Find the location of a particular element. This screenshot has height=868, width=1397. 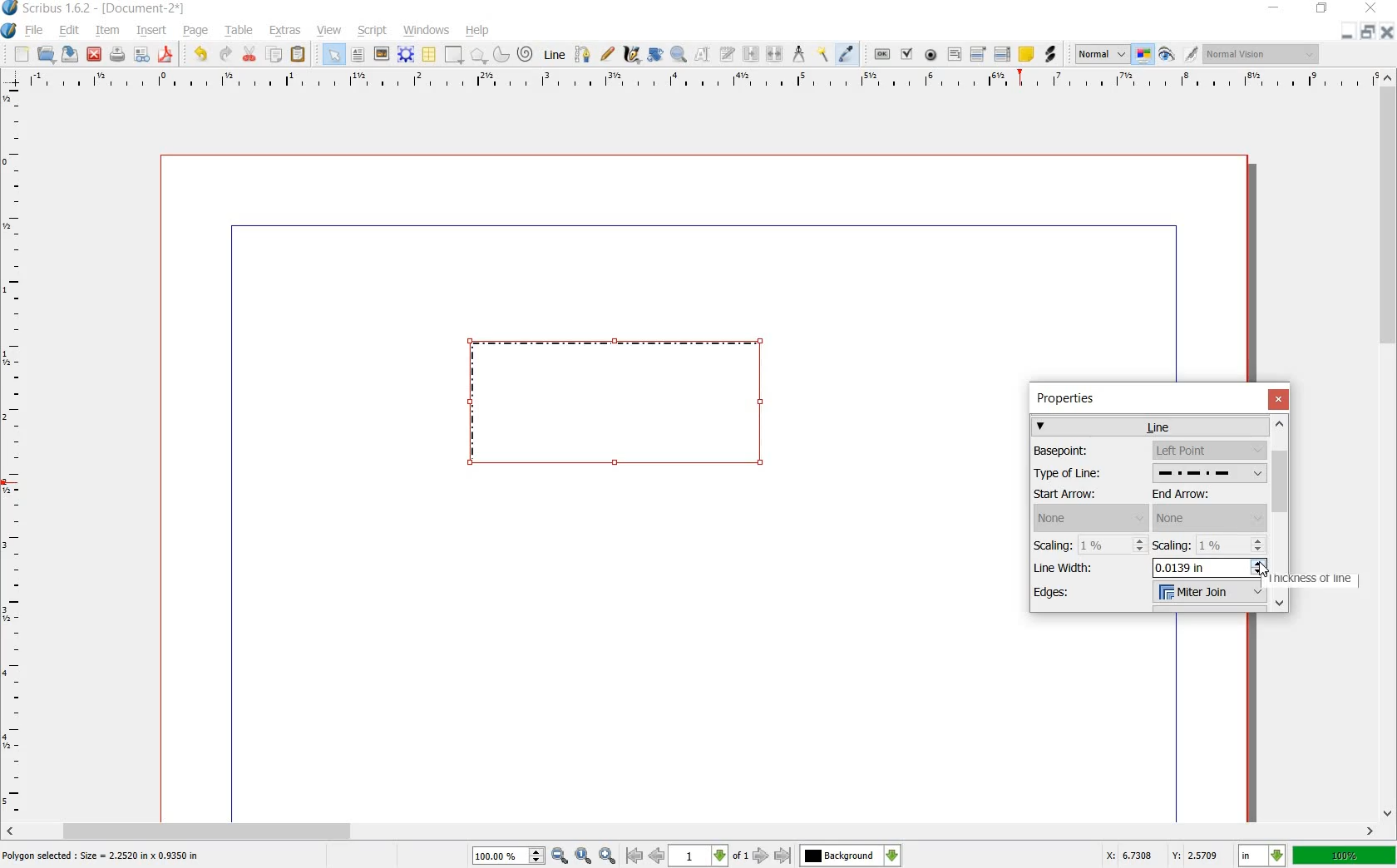

X: 6.7308 Y: 2.5709 is located at coordinates (1163, 856).